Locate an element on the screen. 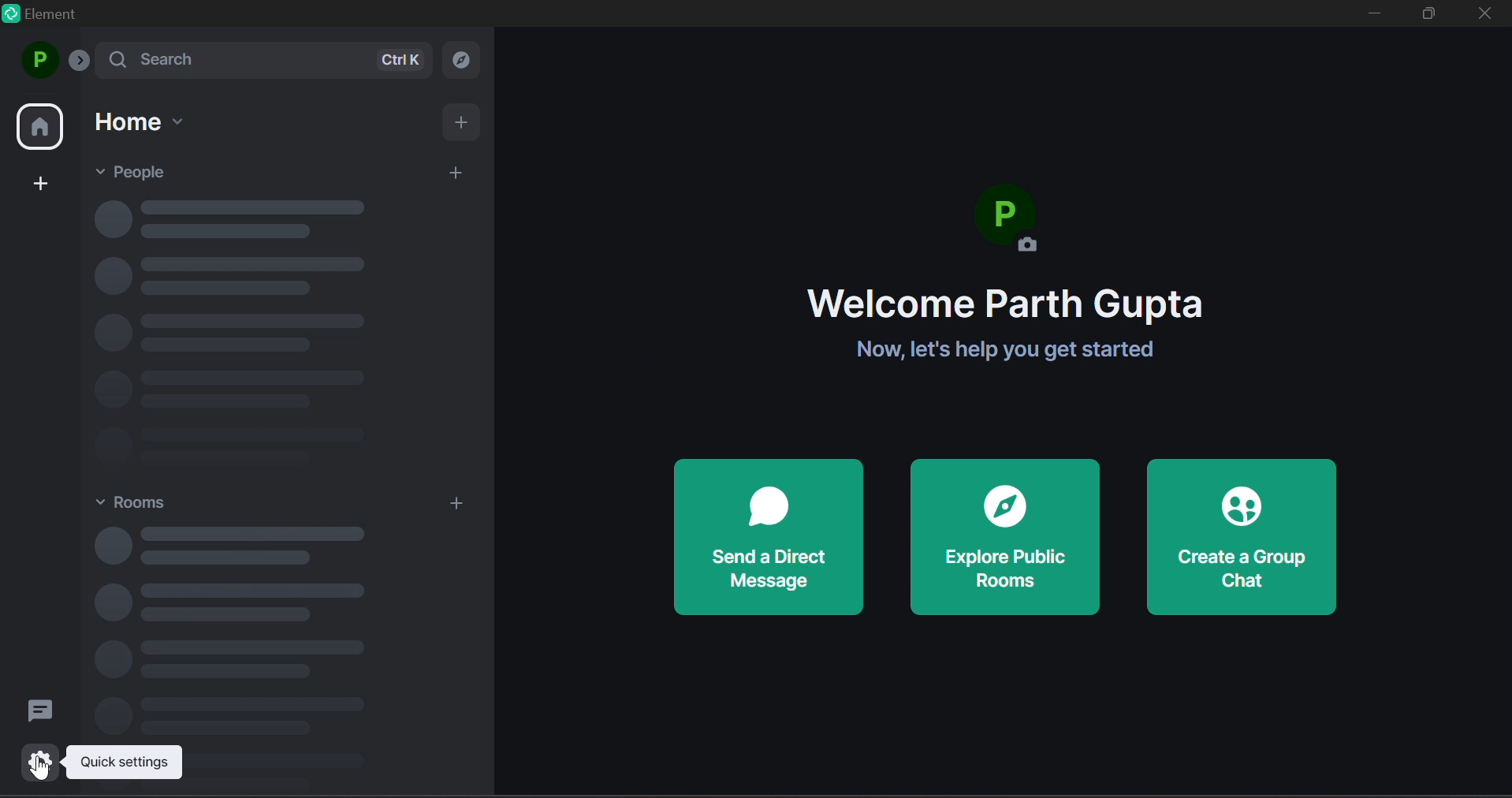 The image size is (1512, 798). add is located at coordinates (457, 174).